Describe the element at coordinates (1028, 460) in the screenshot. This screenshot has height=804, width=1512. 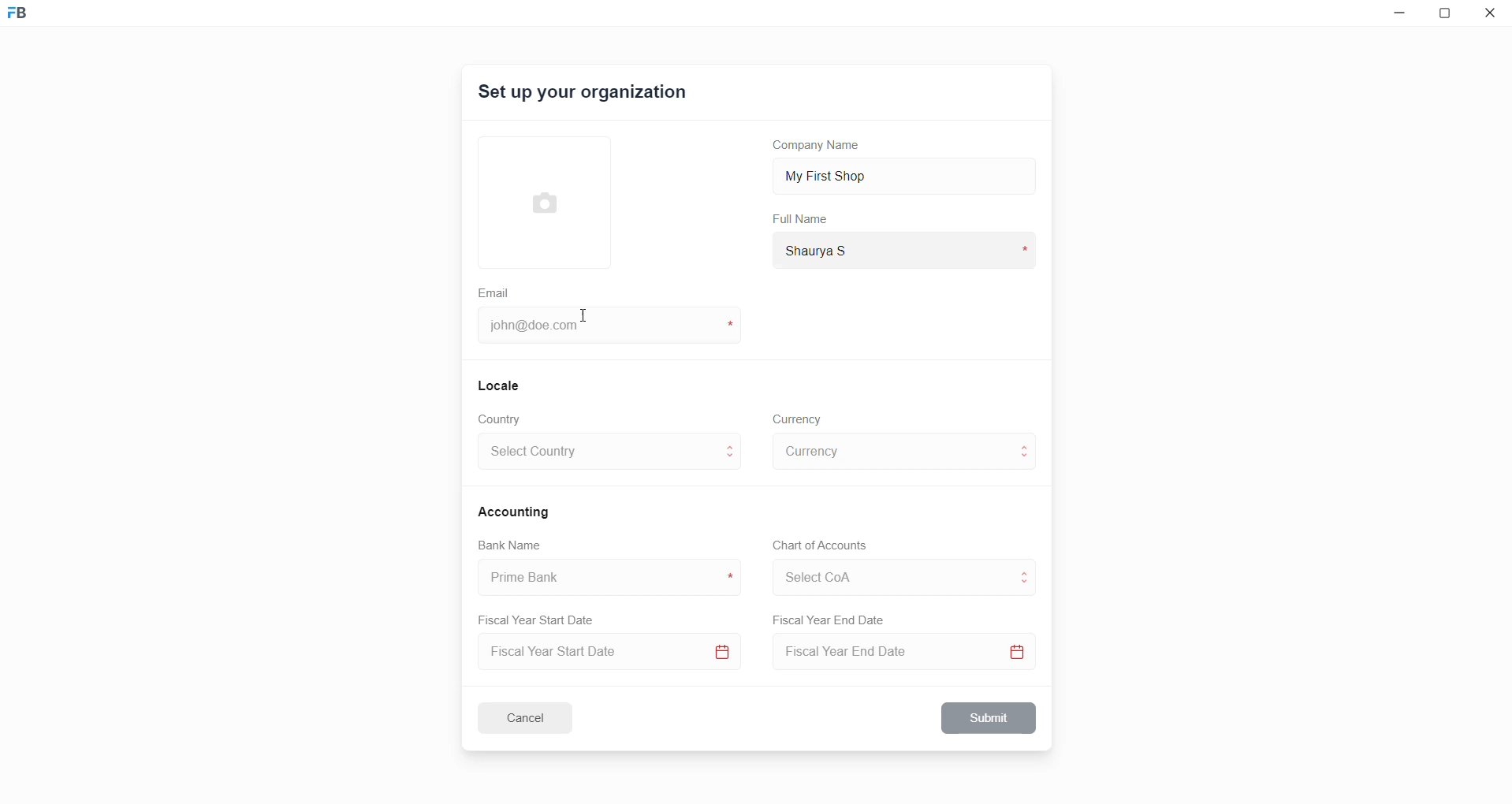
I see `move to below currency` at that location.